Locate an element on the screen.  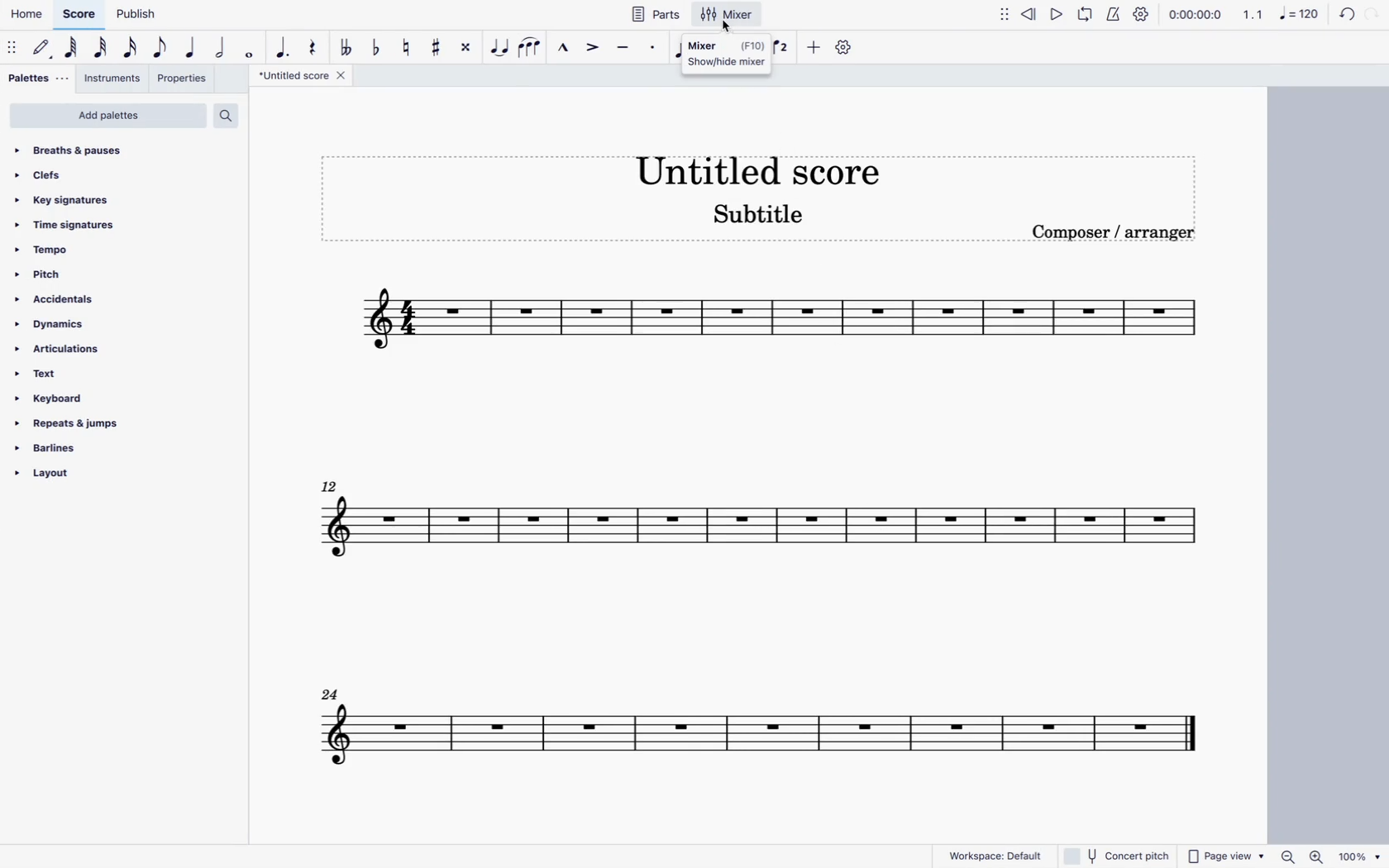
move is located at coordinates (13, 46).